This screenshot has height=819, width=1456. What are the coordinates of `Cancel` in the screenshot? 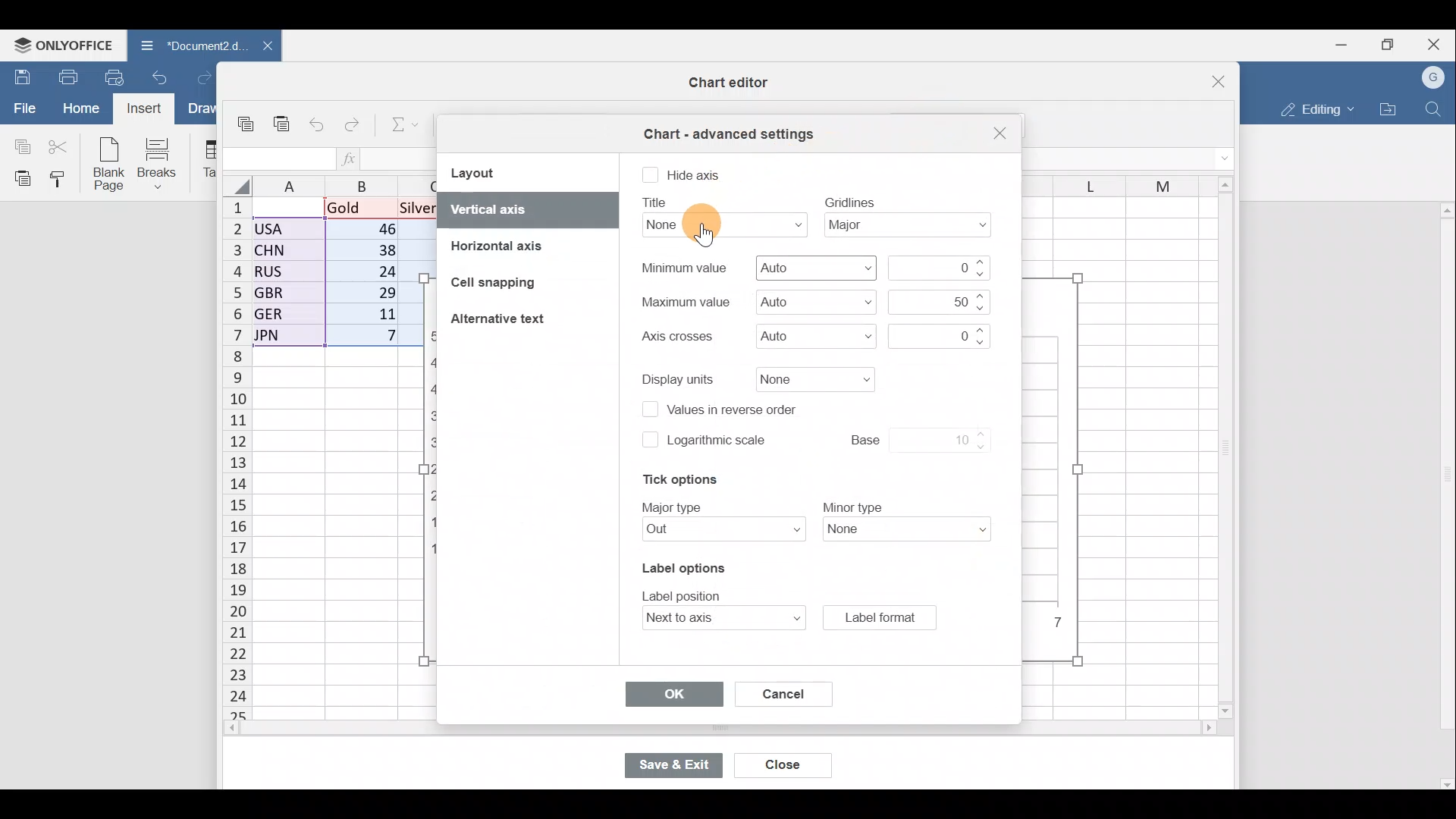 It's located at (778, 691).